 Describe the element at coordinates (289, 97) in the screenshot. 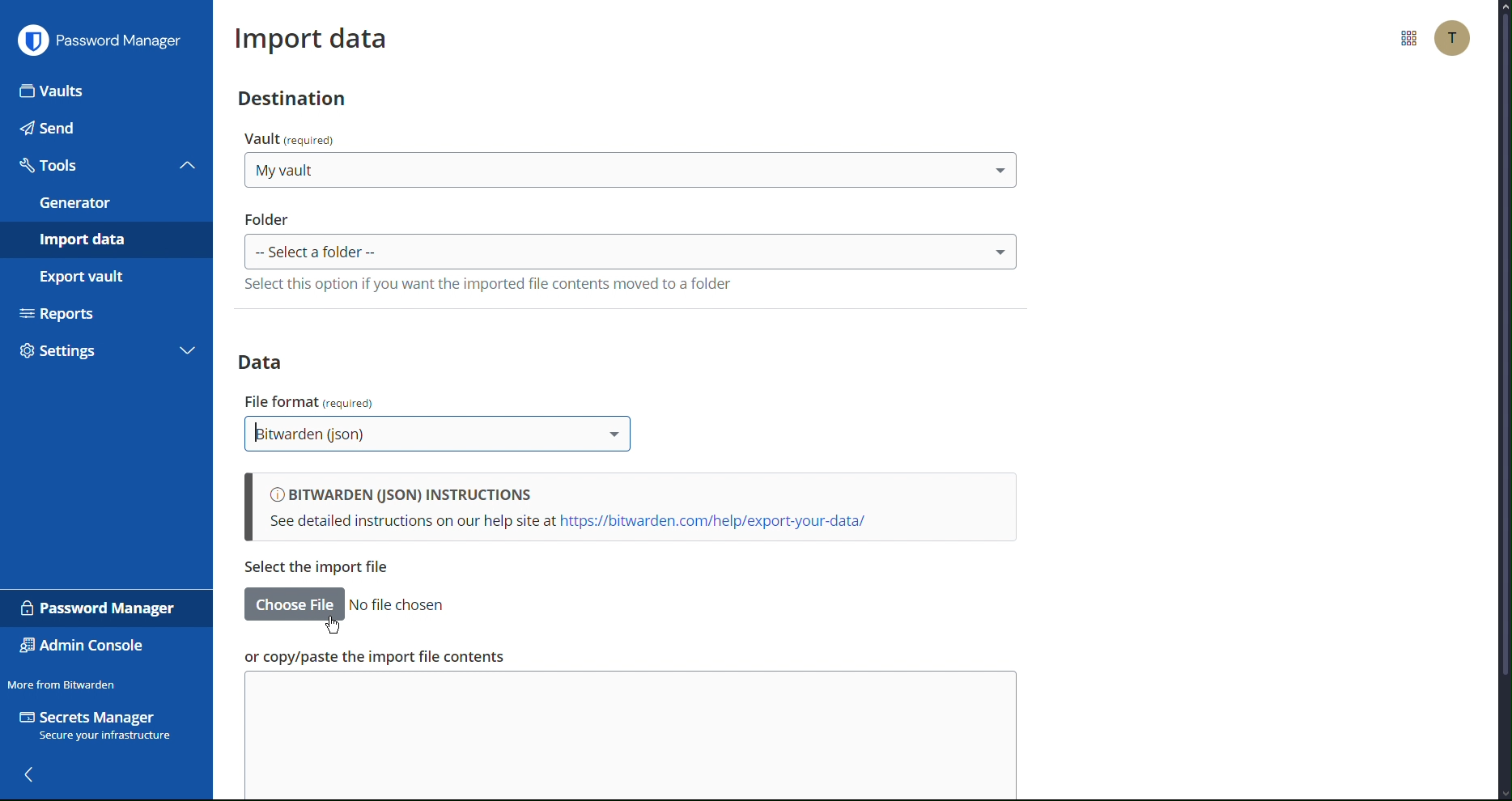

I see `Destination` at that location.